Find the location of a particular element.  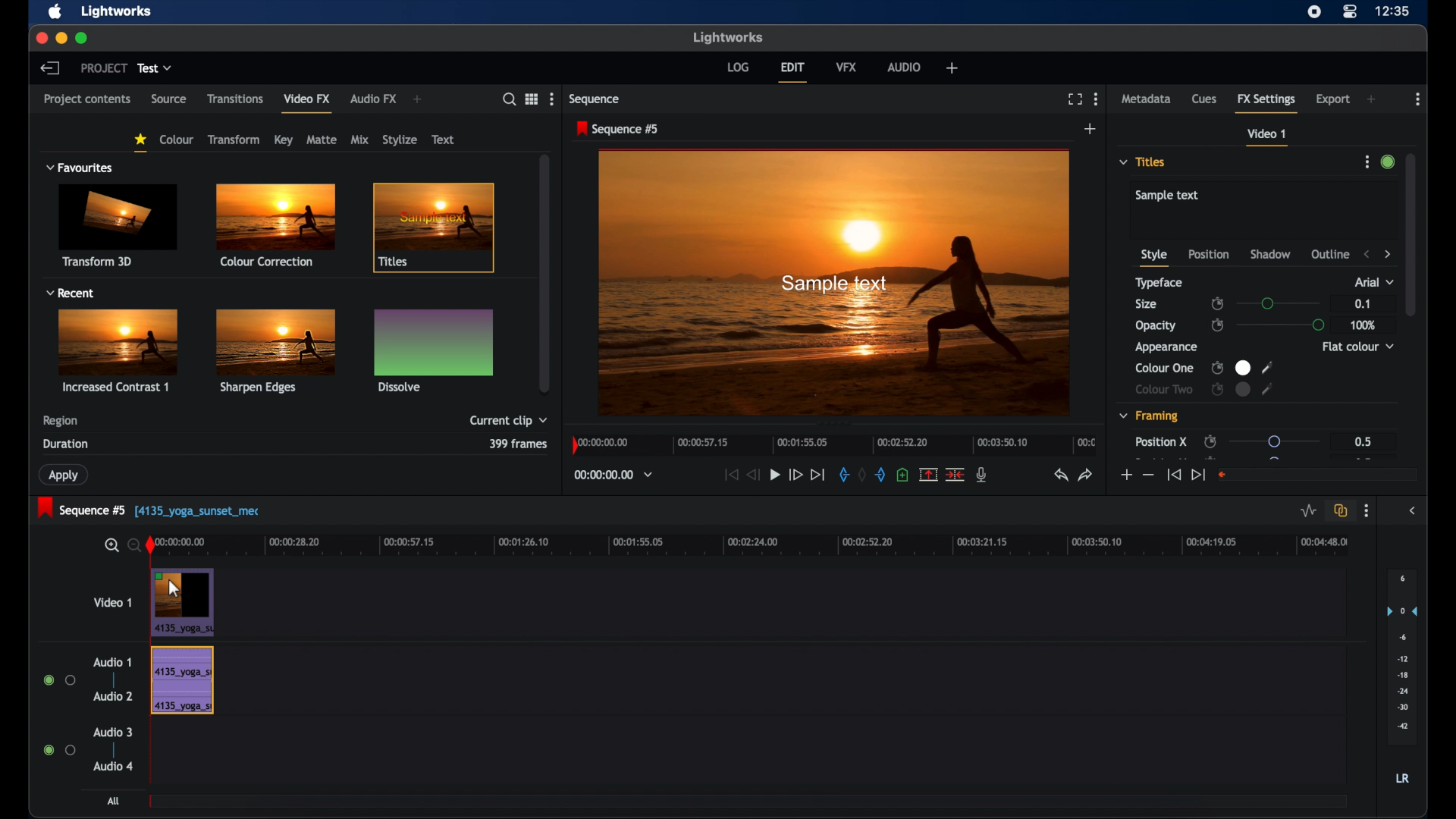

0.1 is located at coordinates (1362, 303).